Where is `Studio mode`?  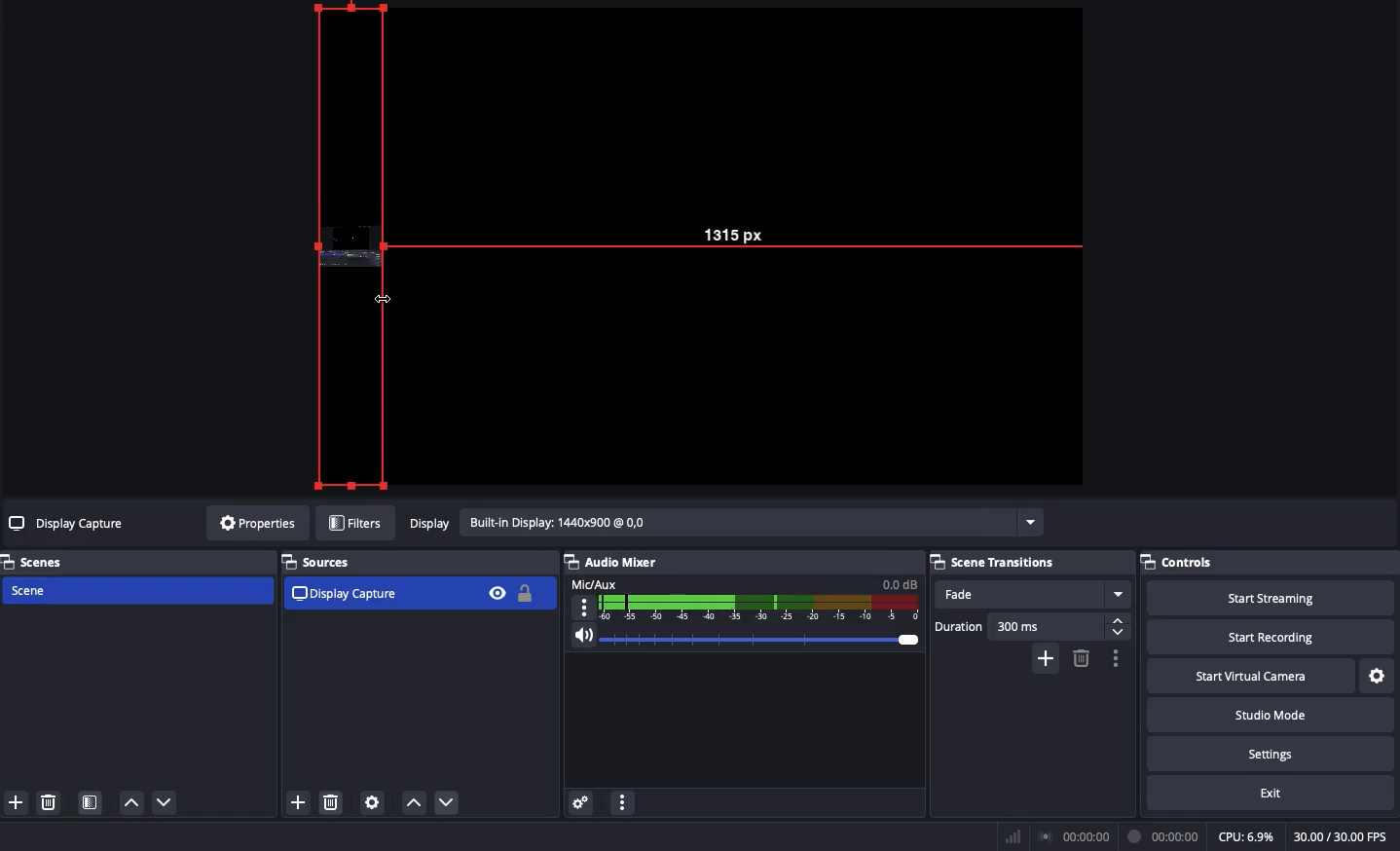
Studio mode is located at coordinates (1269, 713).